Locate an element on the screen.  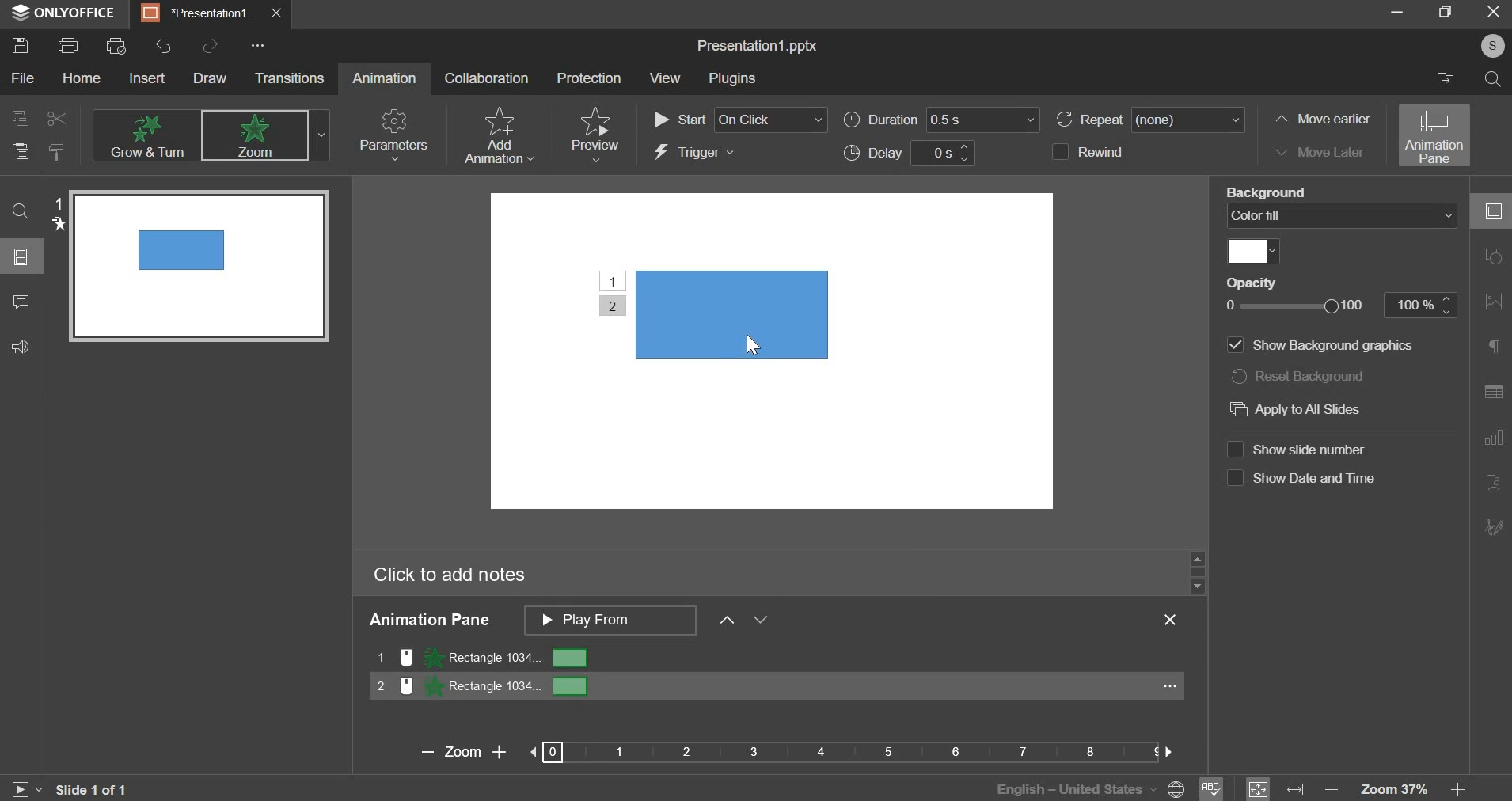
opacity is located at coordinates (1296, 306).